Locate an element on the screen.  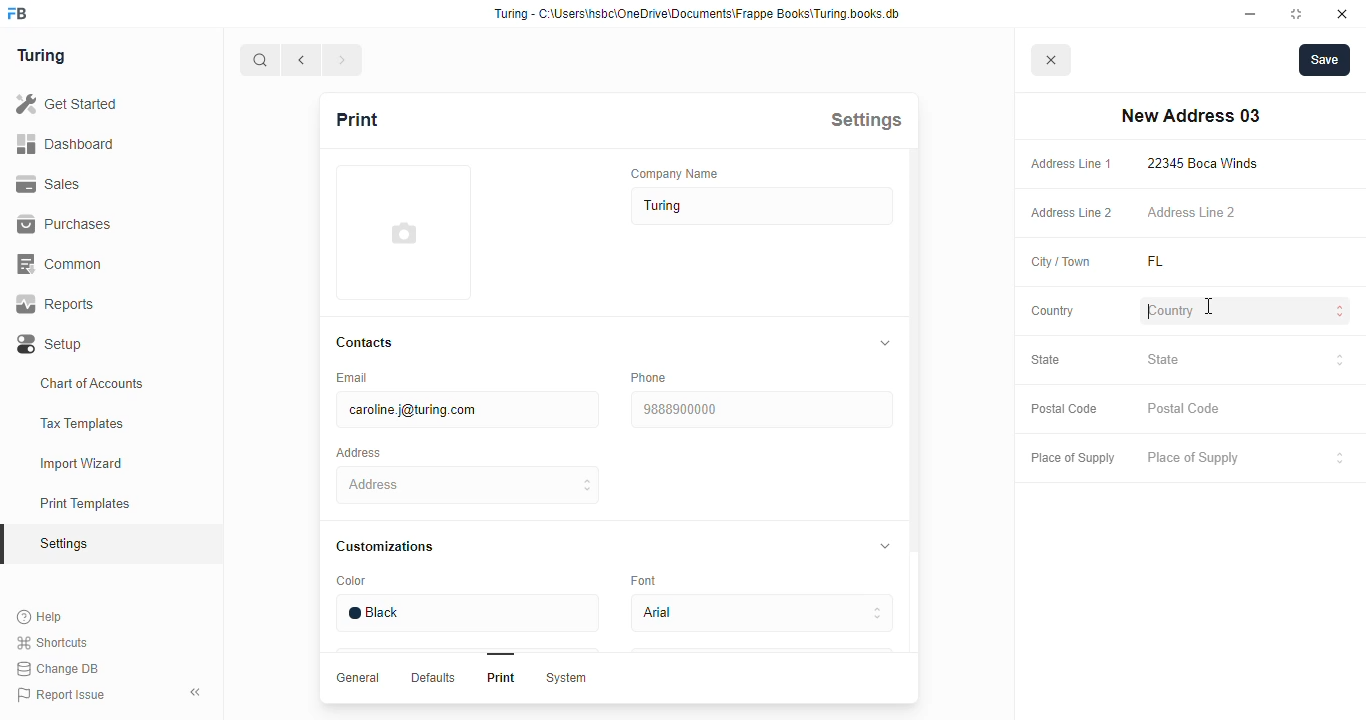
settings is located at coordinates (66, 545).